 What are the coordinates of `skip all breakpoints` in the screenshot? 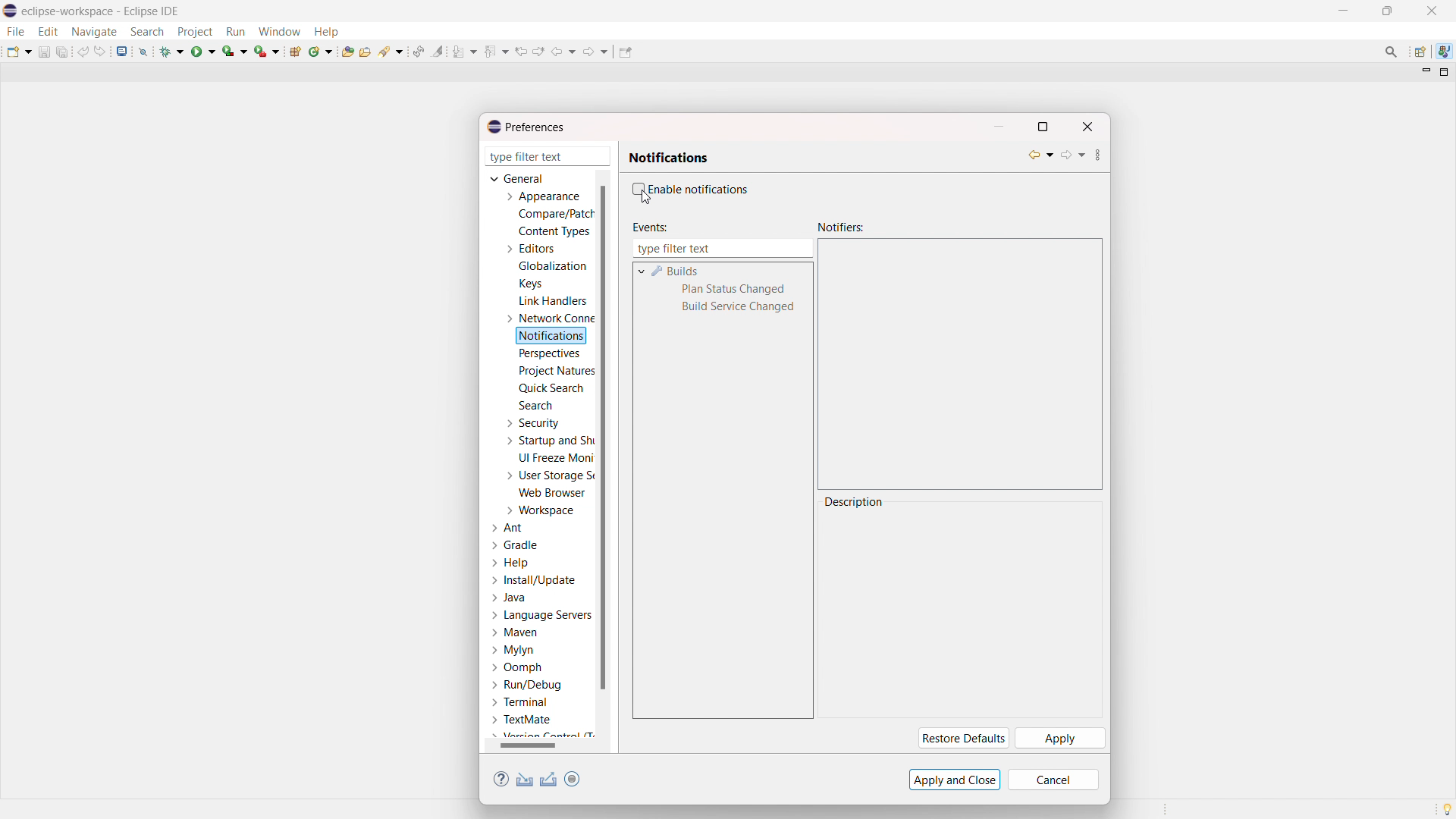 It's located at (143, 51).